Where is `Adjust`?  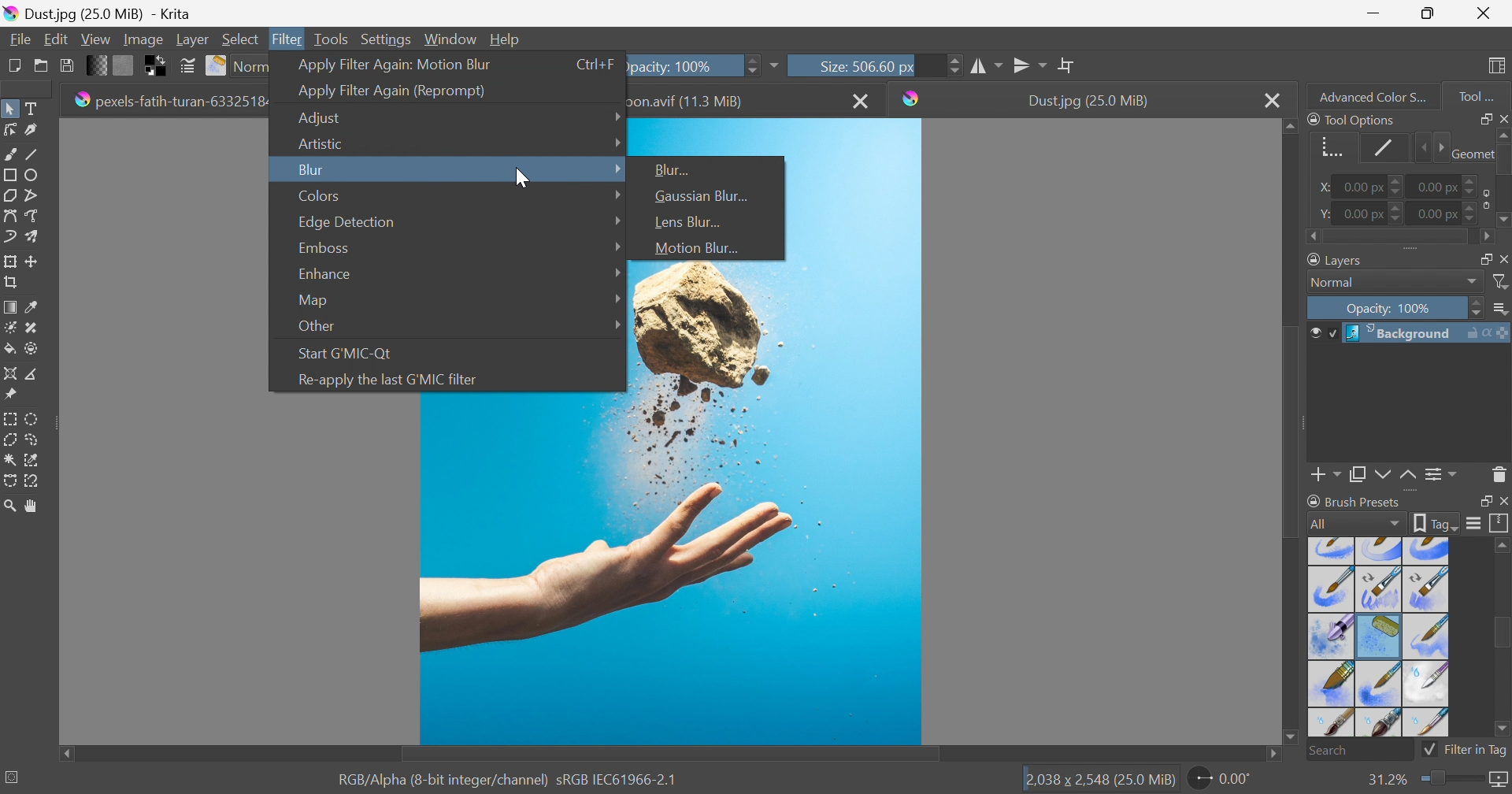 Adjust is located at coordinates (324, 118).